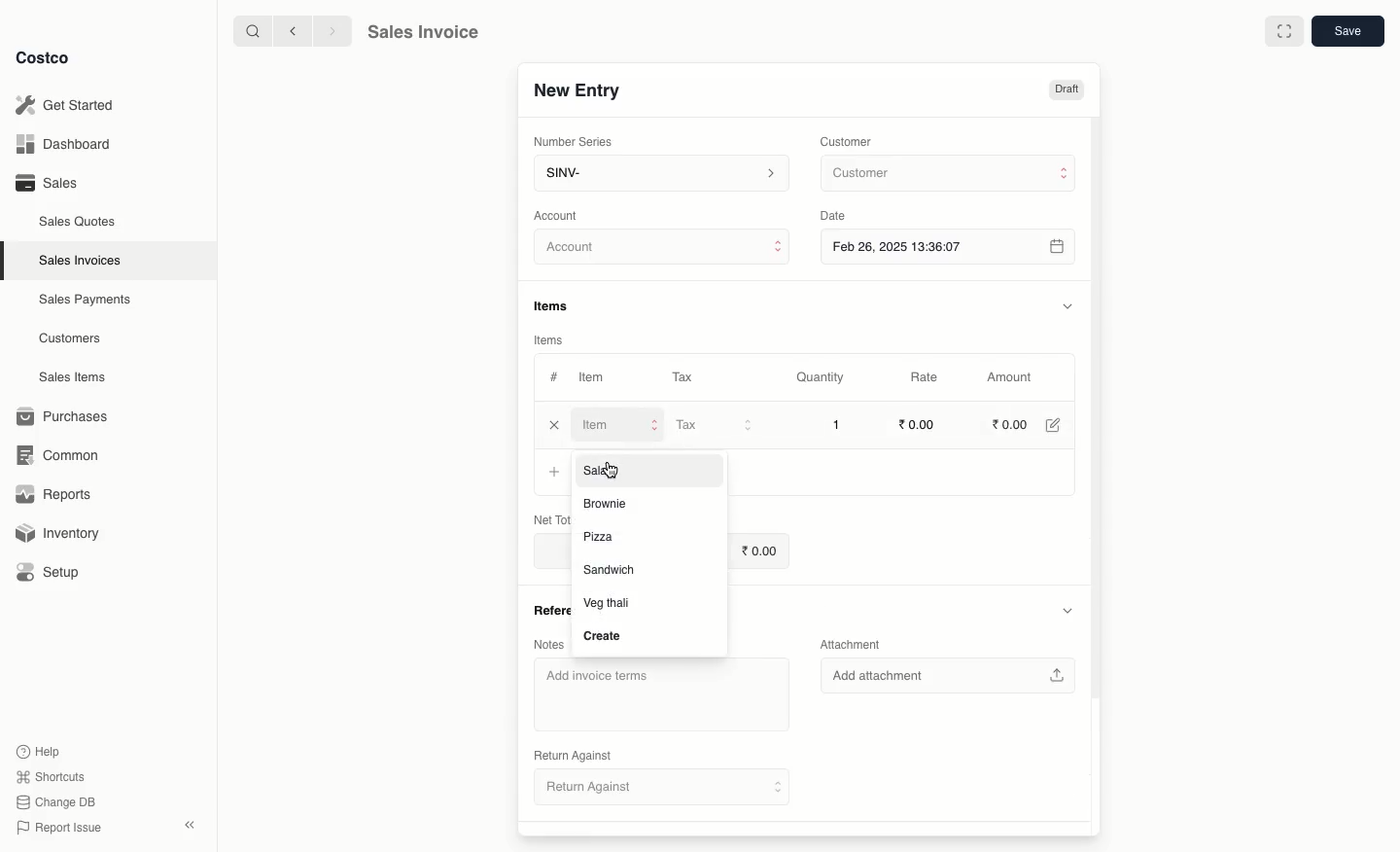 This screenshot has width=1400, height=852. I want to click on ‘Sandwich, so click(610, 571).